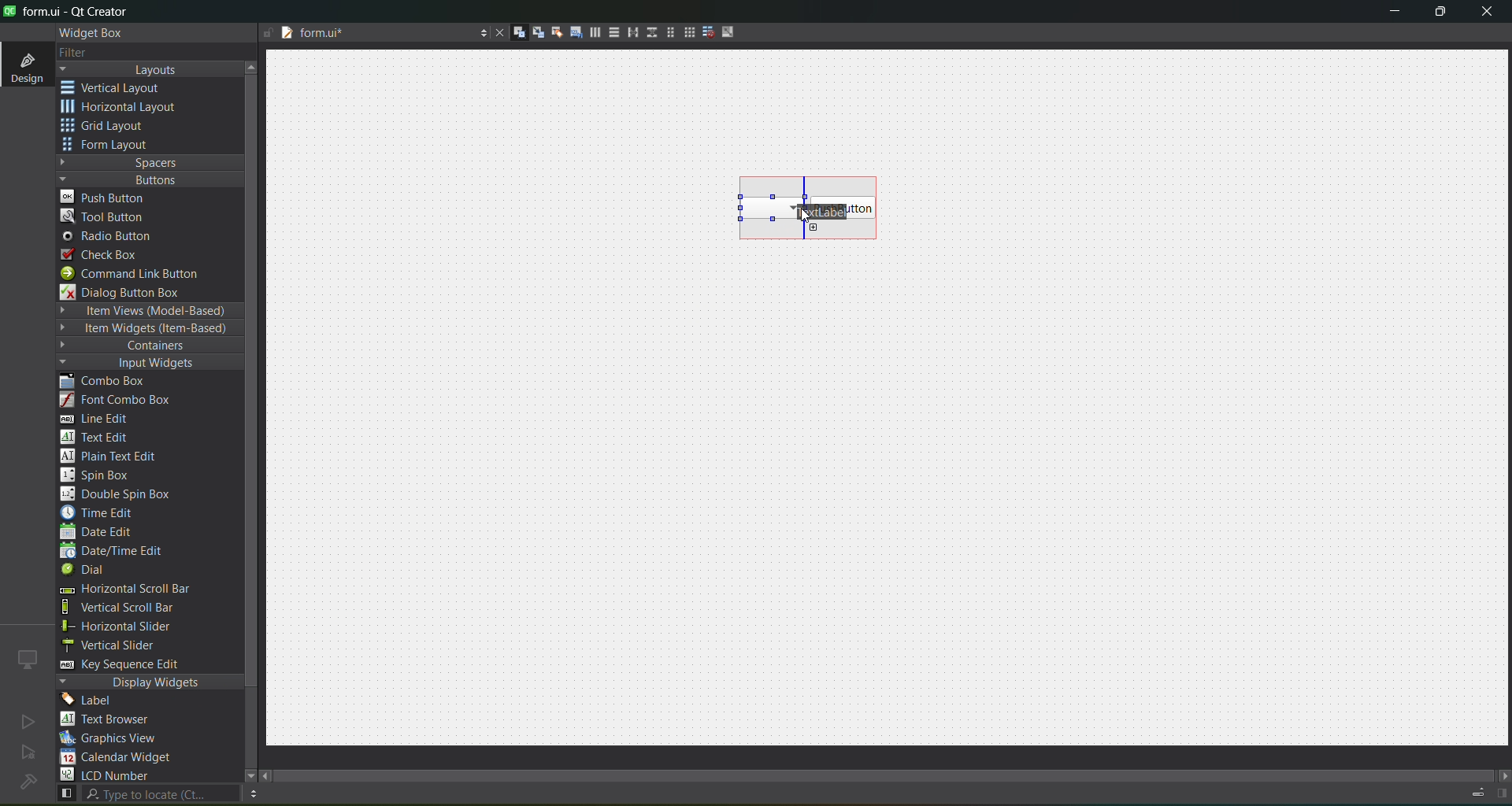  What do you see at coordinates (114, 382) in the screenshot?
I see `combo box` at bounding box center [114, 382].